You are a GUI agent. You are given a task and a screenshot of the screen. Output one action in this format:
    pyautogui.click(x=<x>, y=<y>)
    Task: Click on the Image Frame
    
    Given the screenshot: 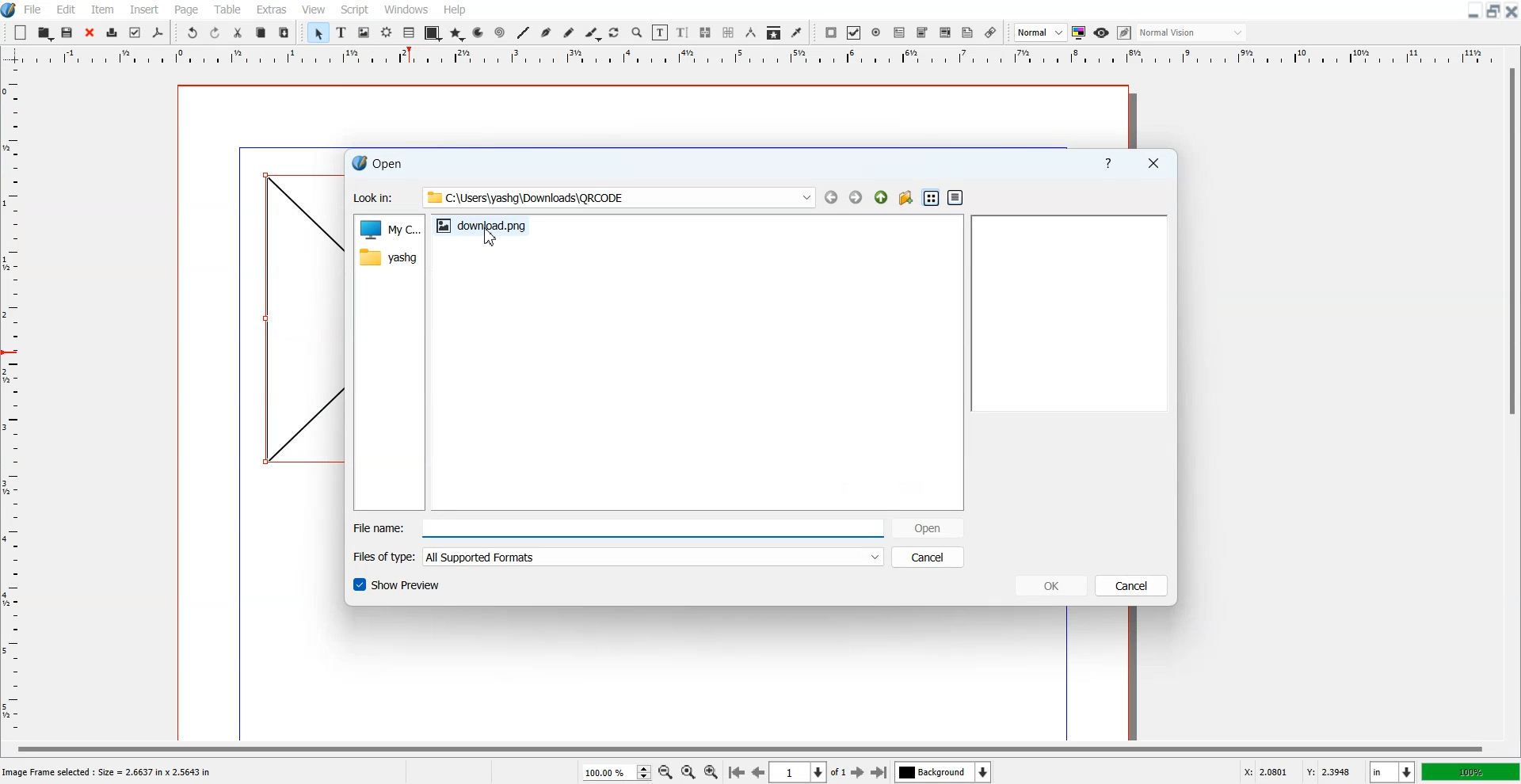 What is the action you would take?
    pyautogui.click(x=364, y=32)
    